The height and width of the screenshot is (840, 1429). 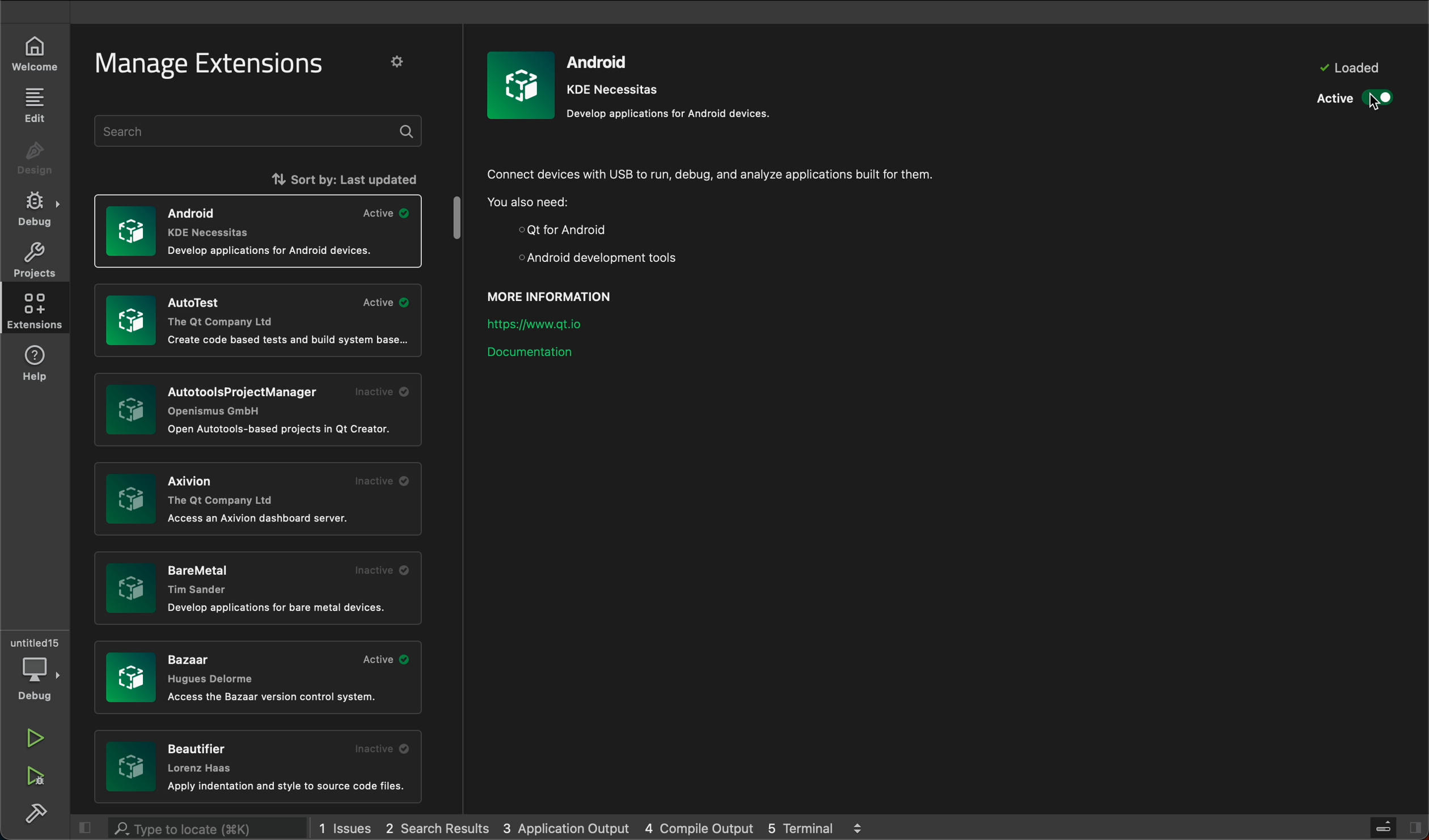 What do you see at coordinates (32, 208) in the screenshot?
I see `debug` at bounding box center [32, 208].